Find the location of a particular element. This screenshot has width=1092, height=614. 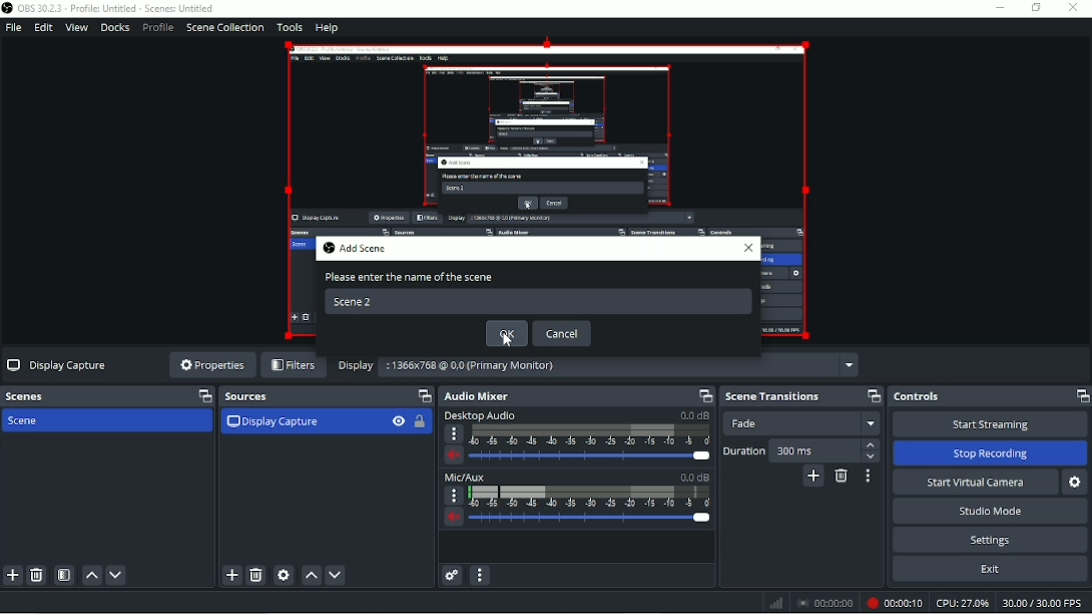

video is located at coordinates (548, 140).